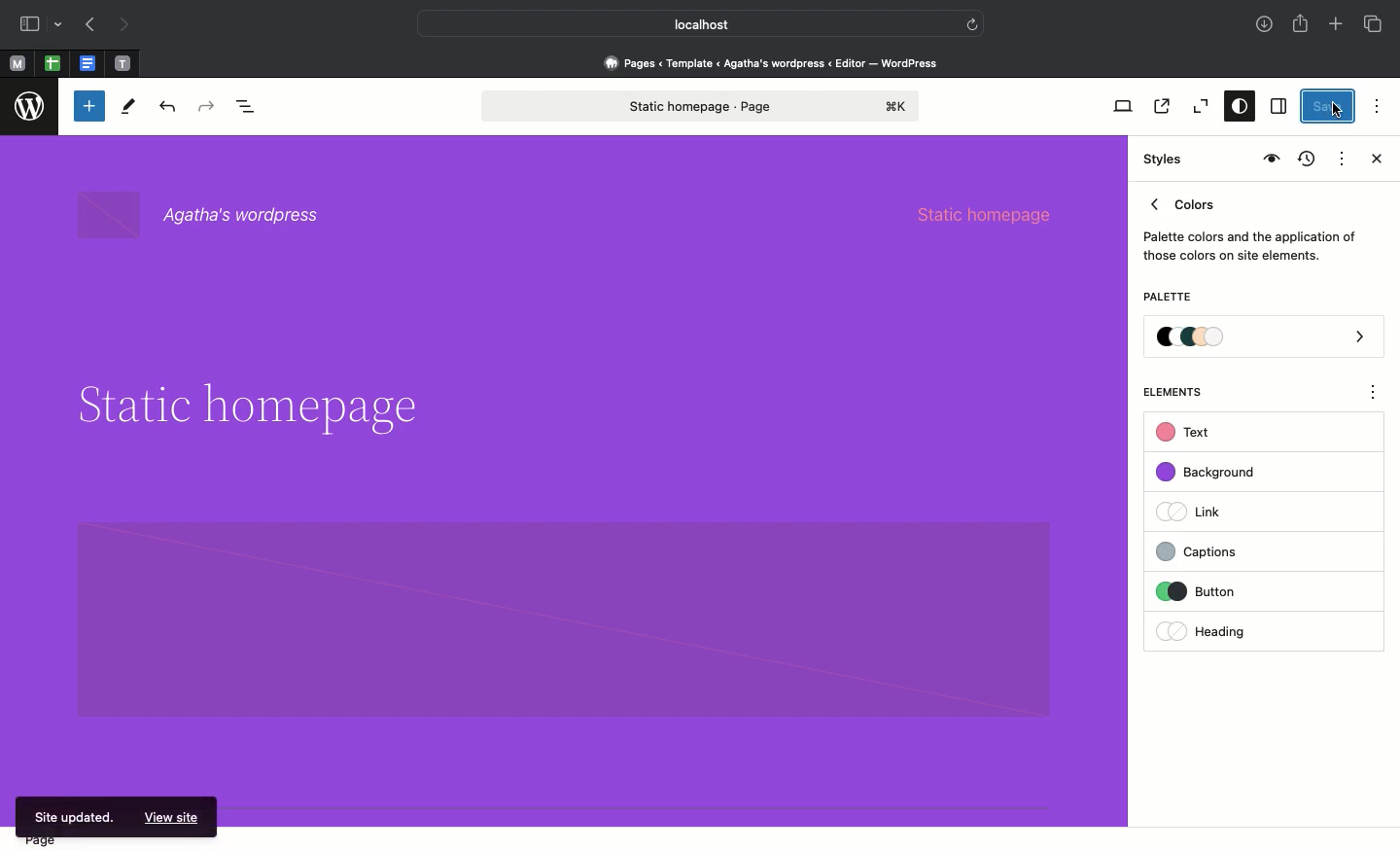  What do you see at coordinates (52, 64) in the screenshot?
I see `Pinned tab` at bounding box center [52, 64].